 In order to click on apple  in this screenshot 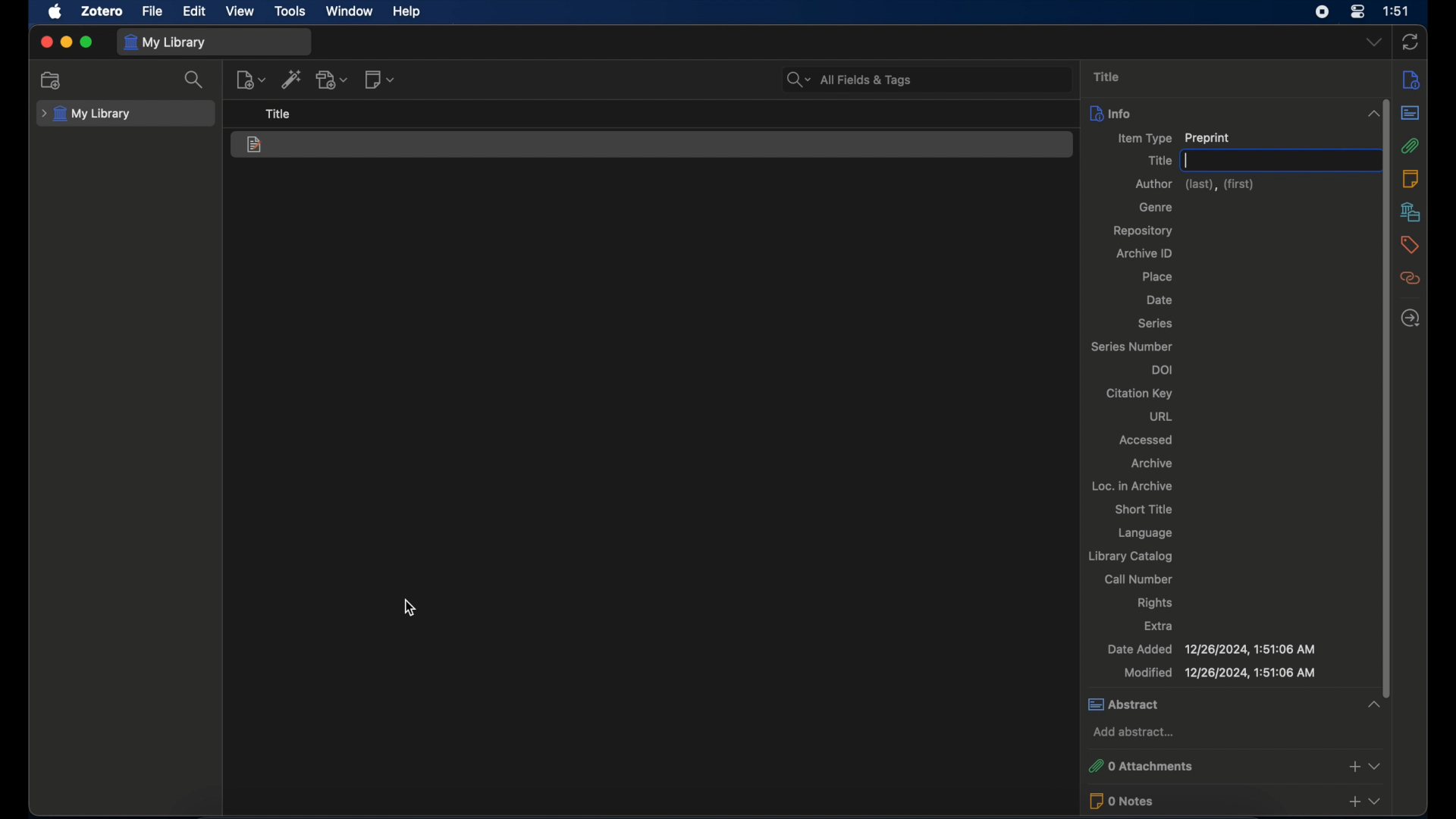, I will do `click(55, 12)`.